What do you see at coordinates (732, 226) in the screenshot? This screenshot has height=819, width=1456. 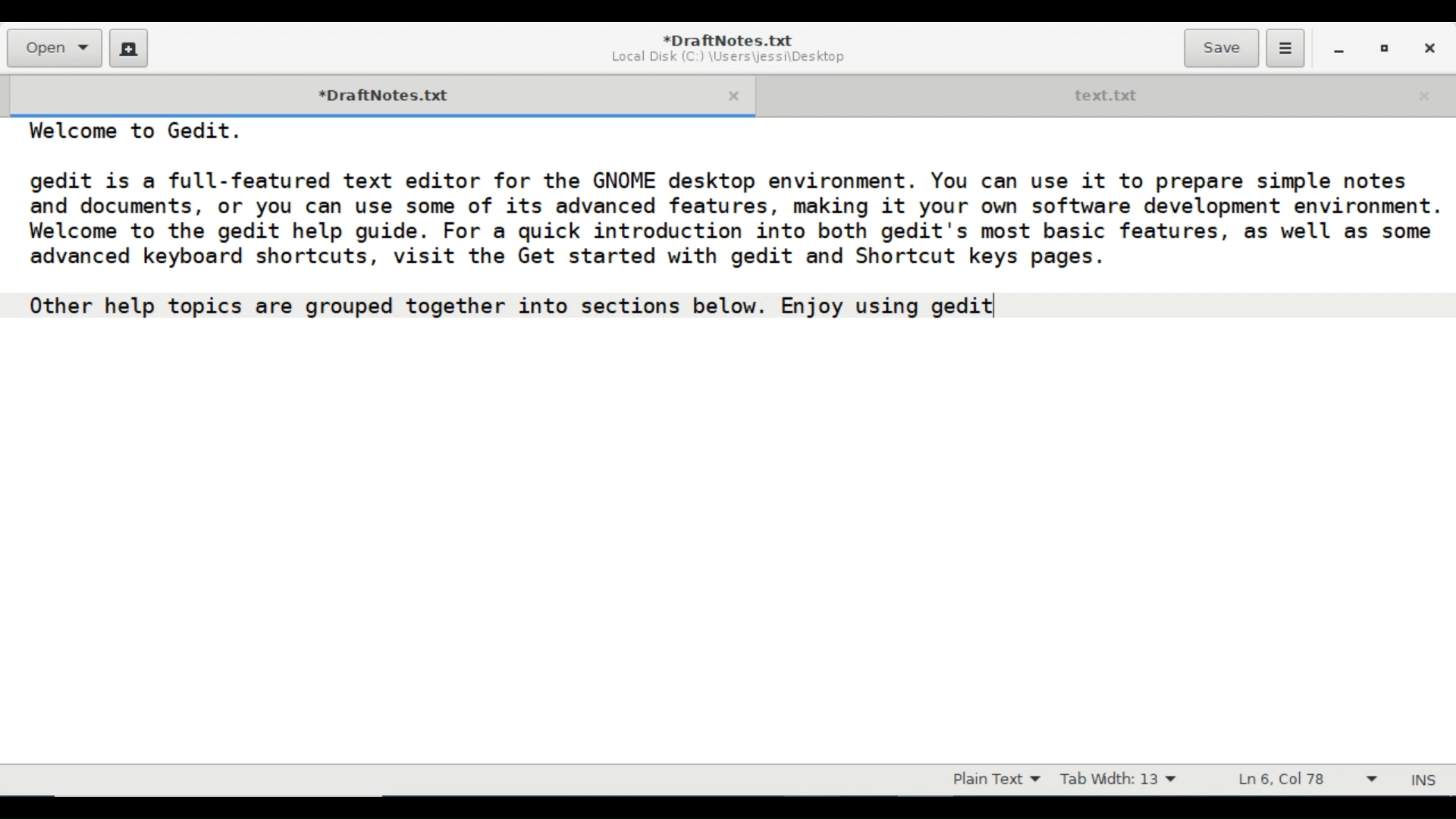 I see `gedit is a full-featured text editor for the GNOME desktop environment. You can use it to prepare simple notes
and documents, or you can use some of its advanced features, making it your own software development environment
Welcome to the gedit help guide. For a quick introduction into both gedit's most basic features, as well as some
advanced keyboard shortcuts, visit the Get started with gedit and Shortcut keys pages.` at bounding box center [732, 226].